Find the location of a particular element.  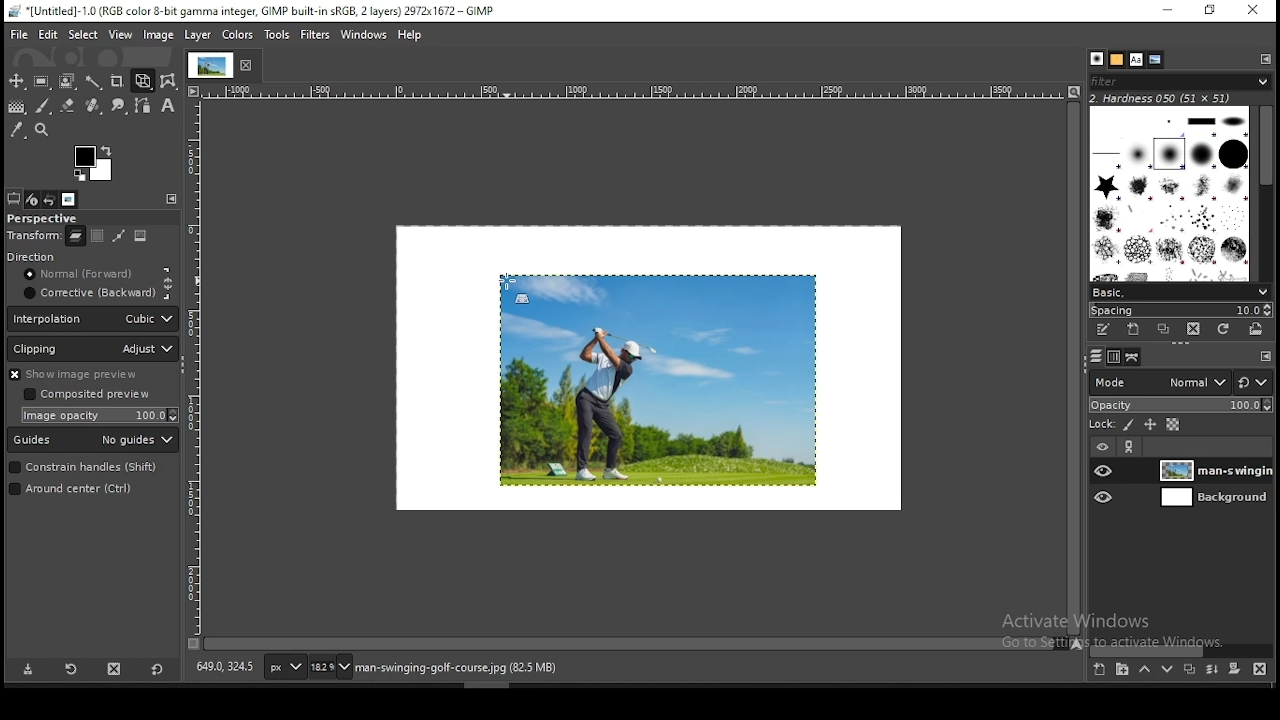

scroll bar is located at coordinates (1073, 369).